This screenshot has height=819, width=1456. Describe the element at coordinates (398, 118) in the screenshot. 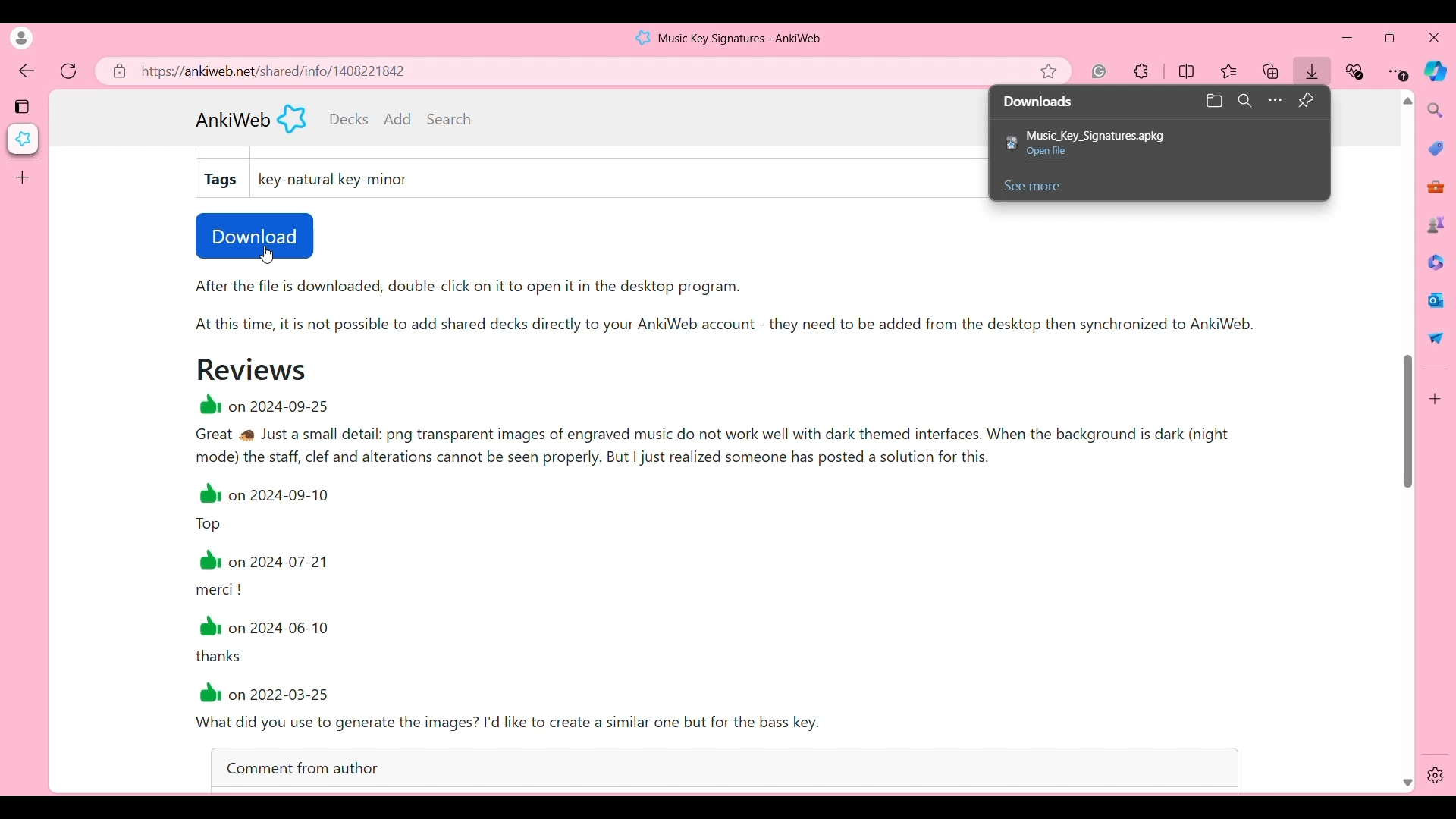

I see `Add` at that location.